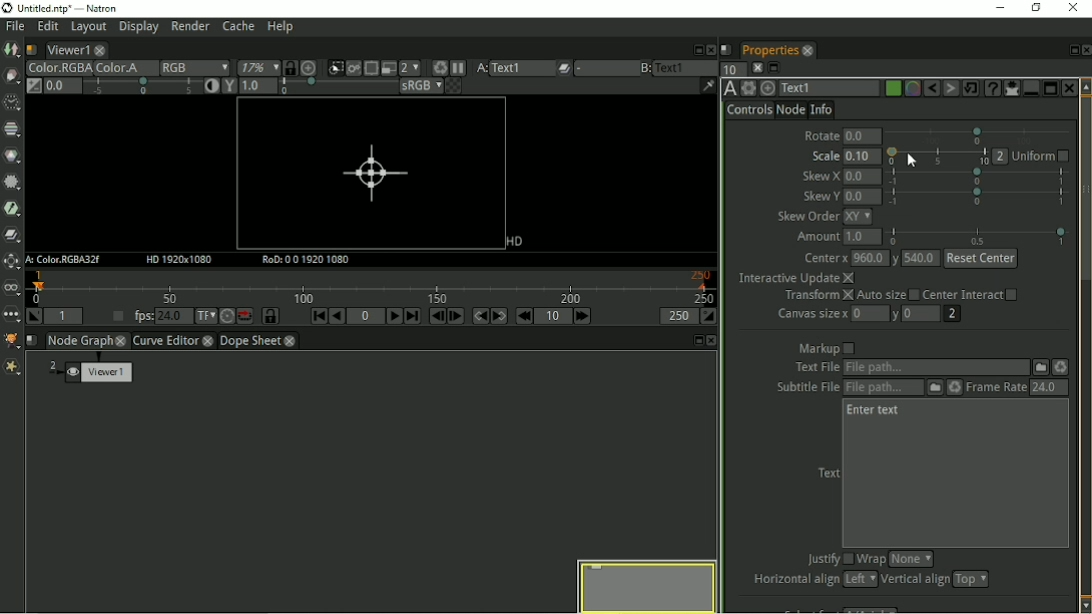  What do you see at coordinates (58, 86) in the screenshot?
I see `Gain` at bounding box center [58, 86].